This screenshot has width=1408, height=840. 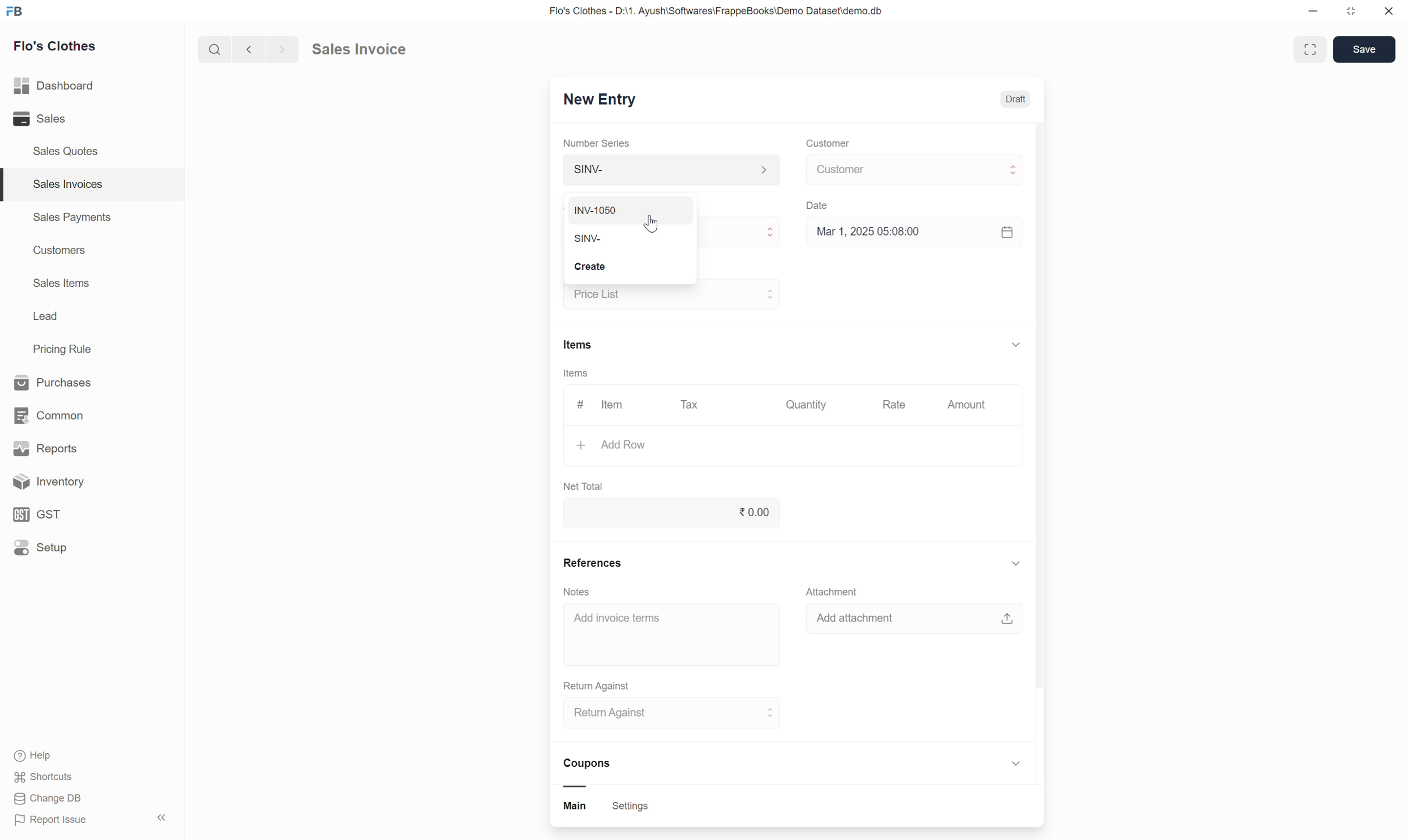 What do you see at coordinates (691, 408) in the screenshot?
I see `Tax` at bounding box center [691, 408].